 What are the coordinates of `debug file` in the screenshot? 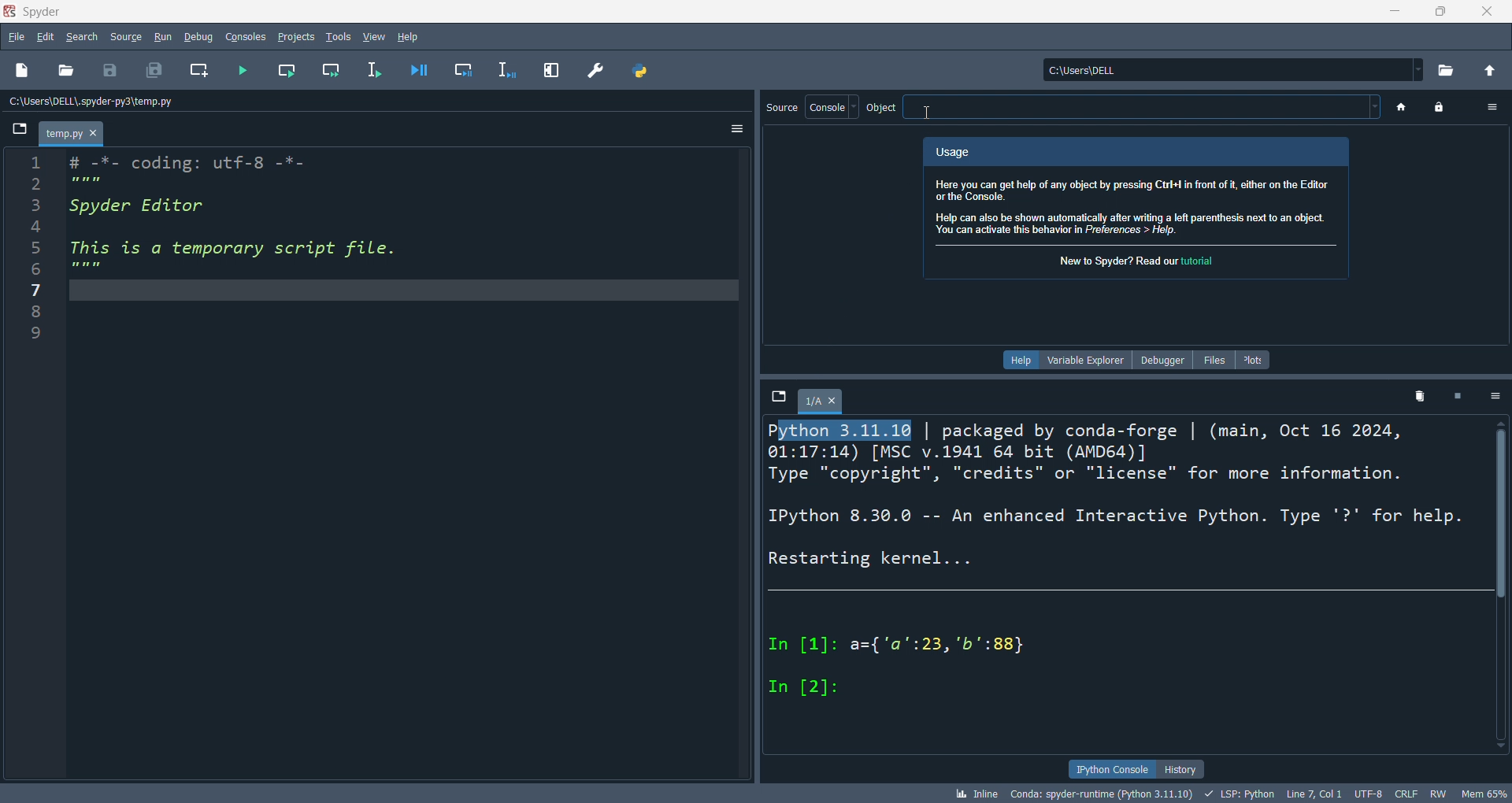 It's located at (413, 71).